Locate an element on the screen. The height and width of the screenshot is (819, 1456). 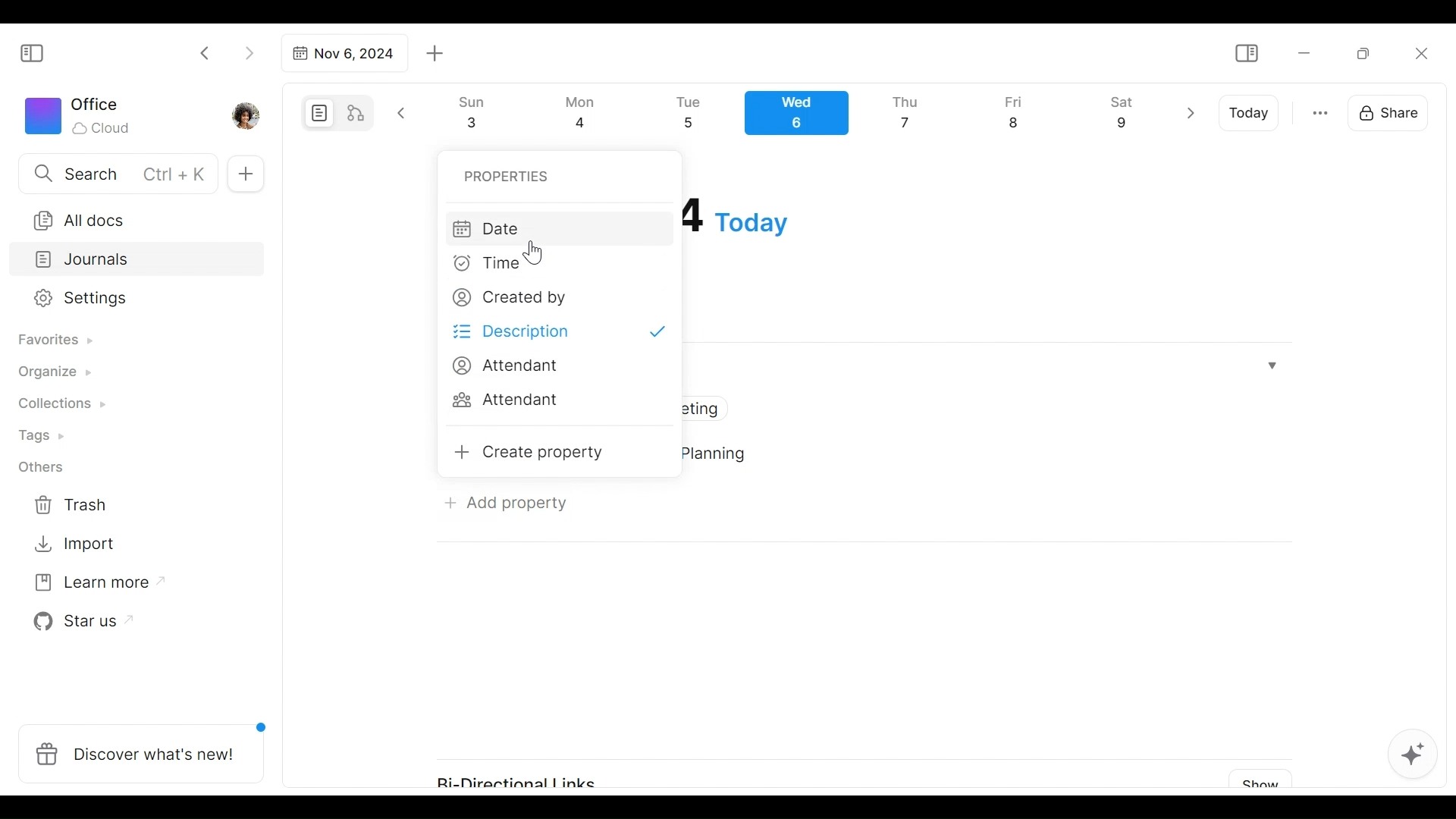
Edgeless mode is located at coordinates (357, 112).